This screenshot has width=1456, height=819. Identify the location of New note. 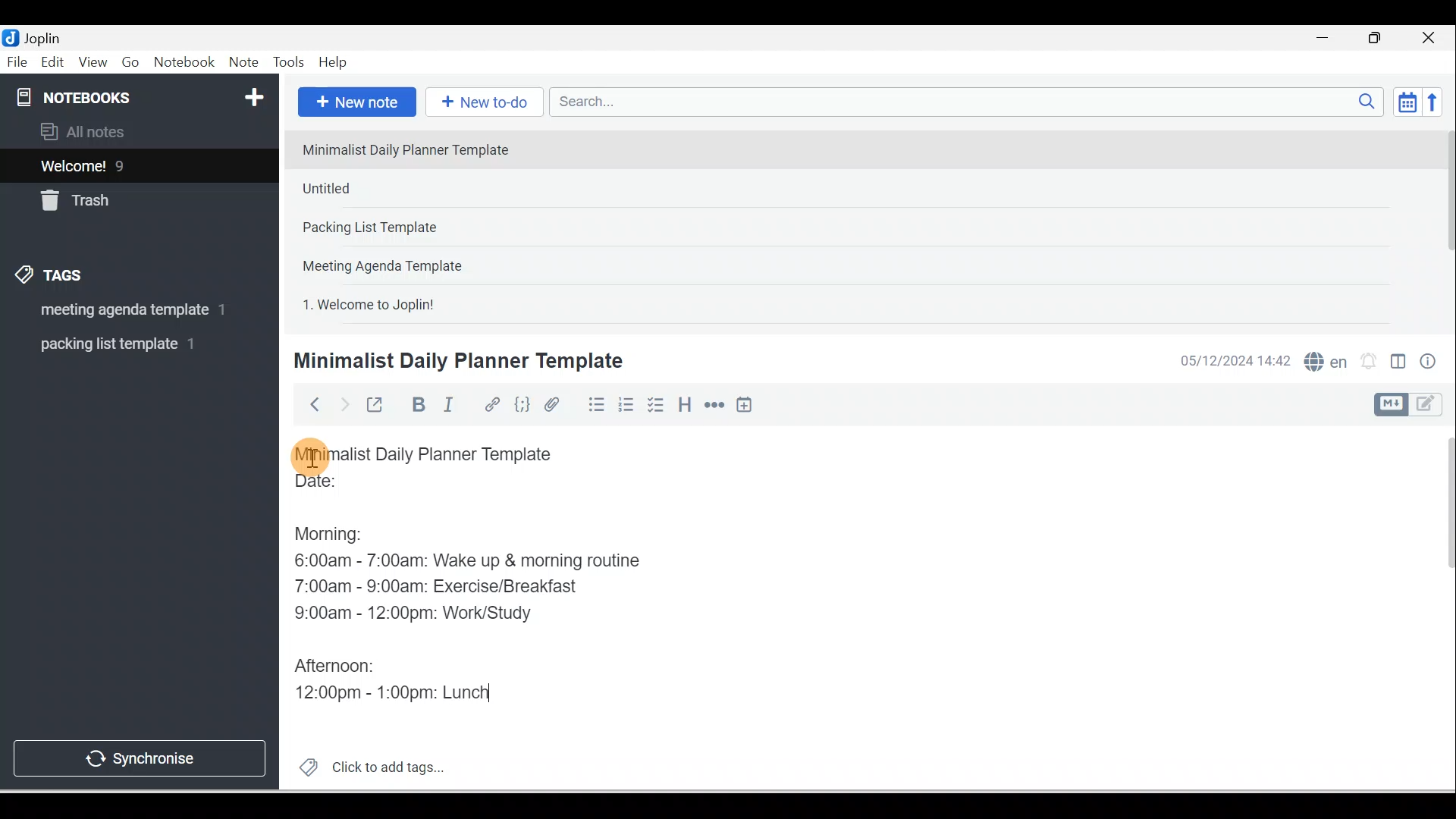
(354, 103).